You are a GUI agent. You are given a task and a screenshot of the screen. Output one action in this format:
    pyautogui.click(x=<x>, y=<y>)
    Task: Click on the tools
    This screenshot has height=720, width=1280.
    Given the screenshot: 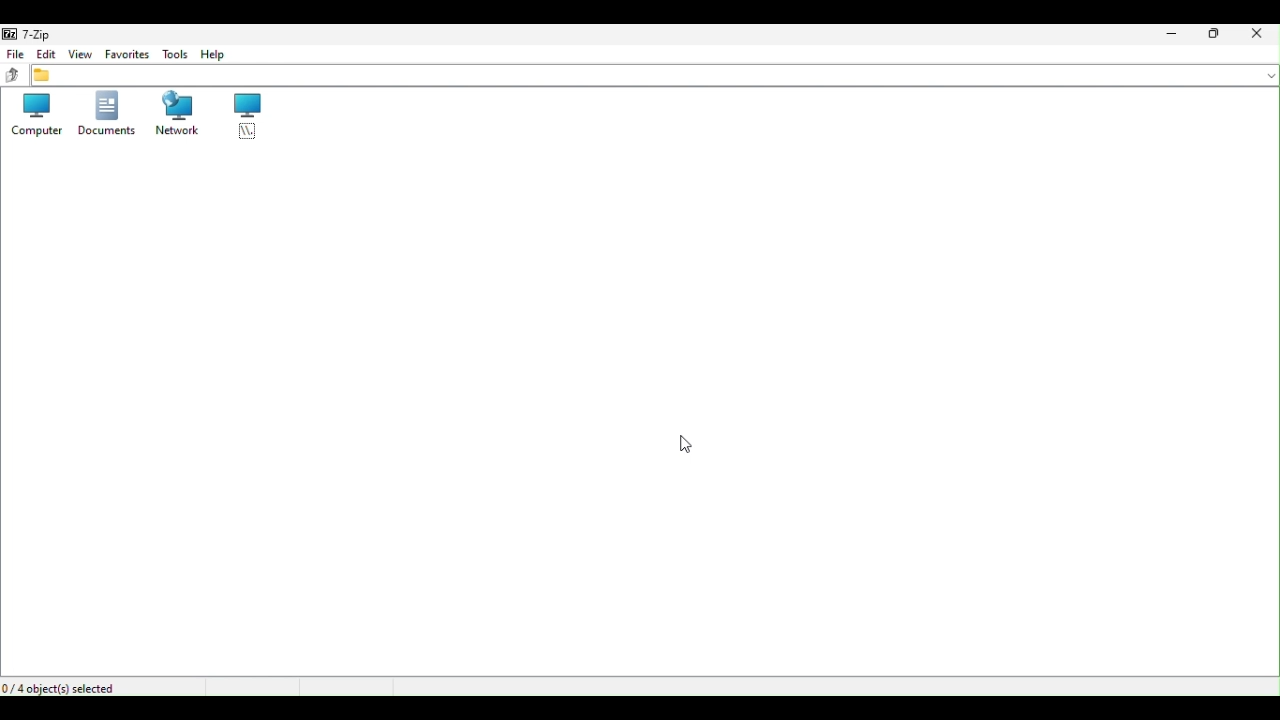 What is the action you would take?
    pyautogui.click(x=172, y=52)
    